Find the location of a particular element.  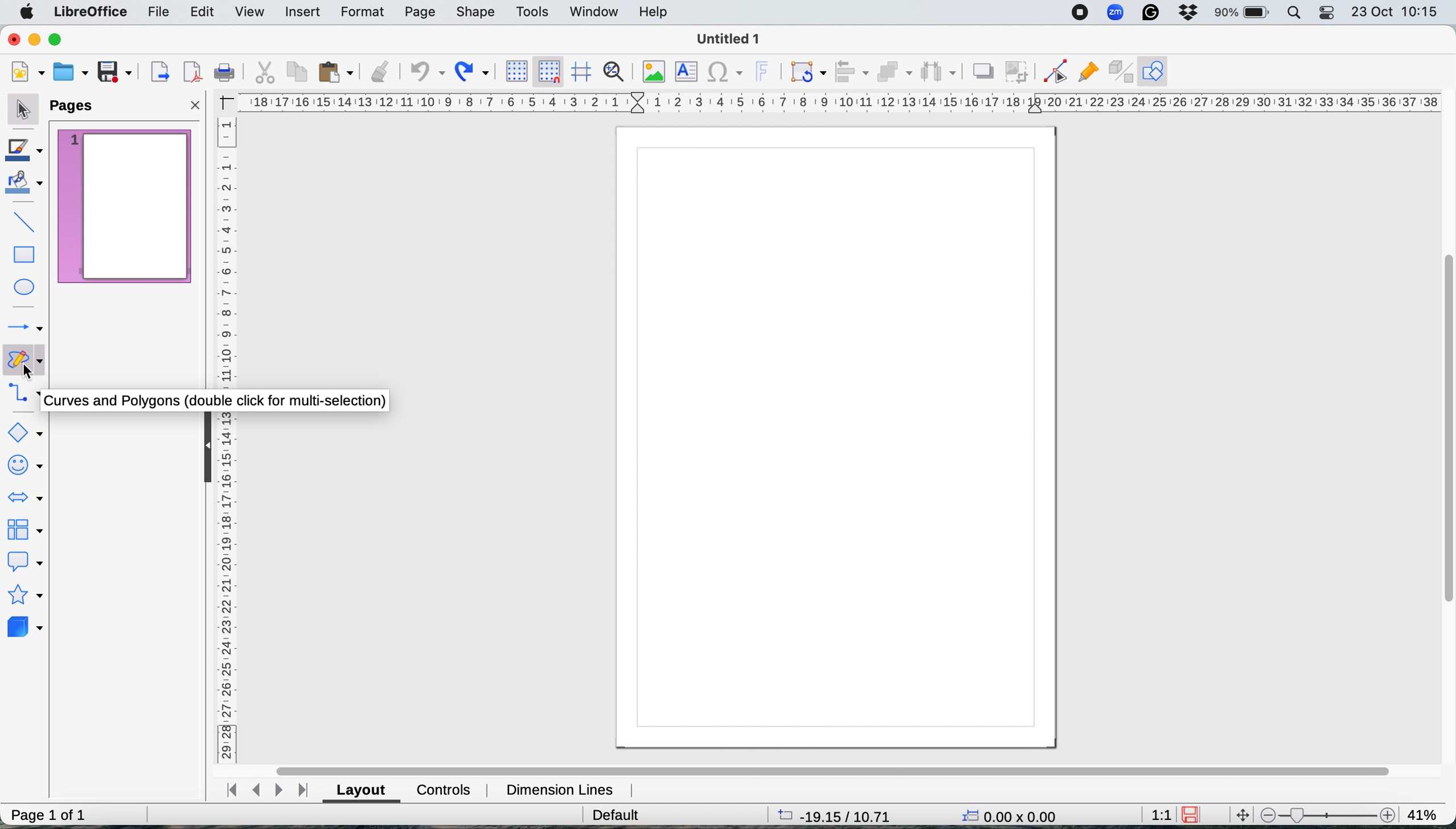

grammarly is located at coordinates (1150, 12).